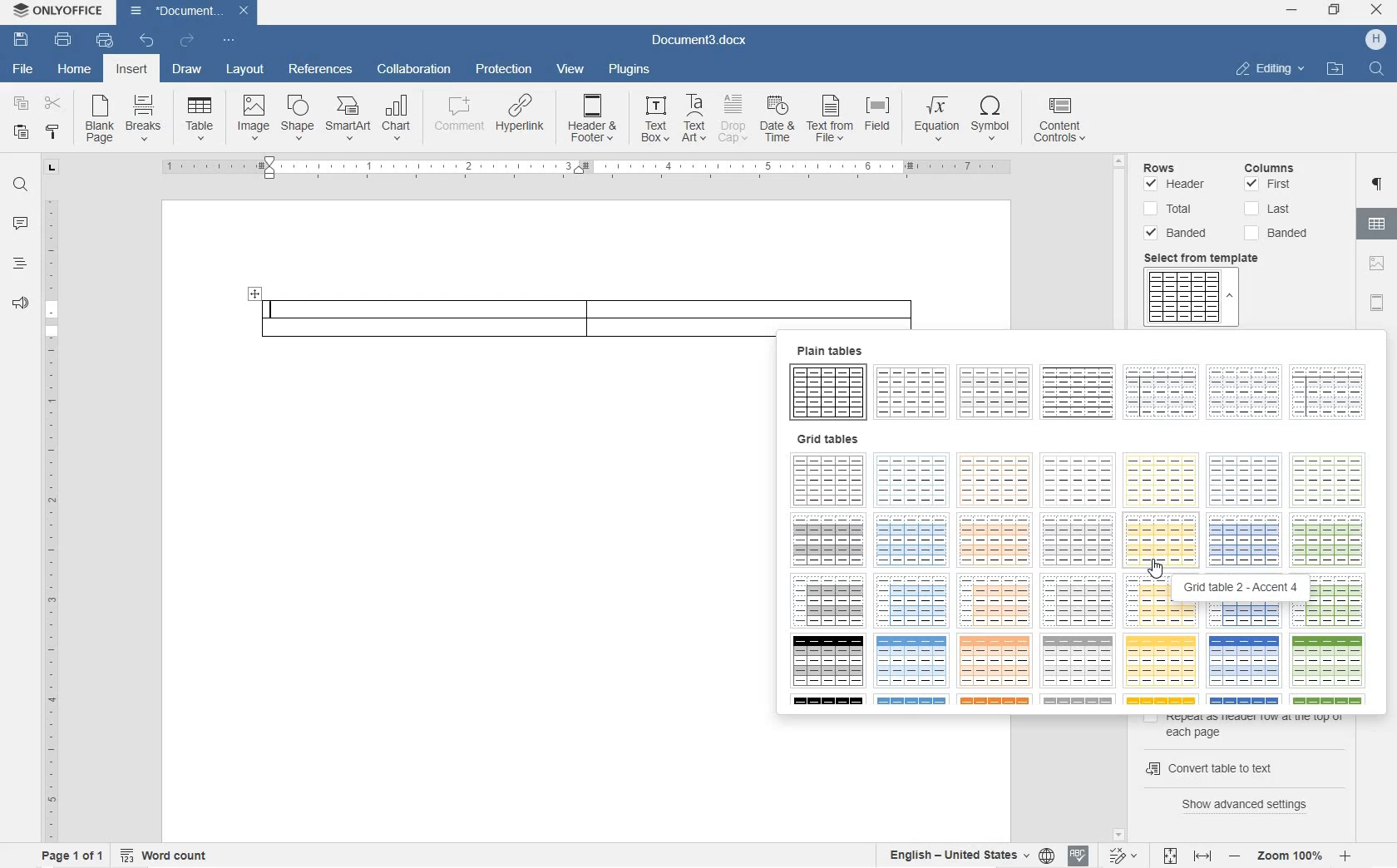  I want to click on comment, so click(456, 118).